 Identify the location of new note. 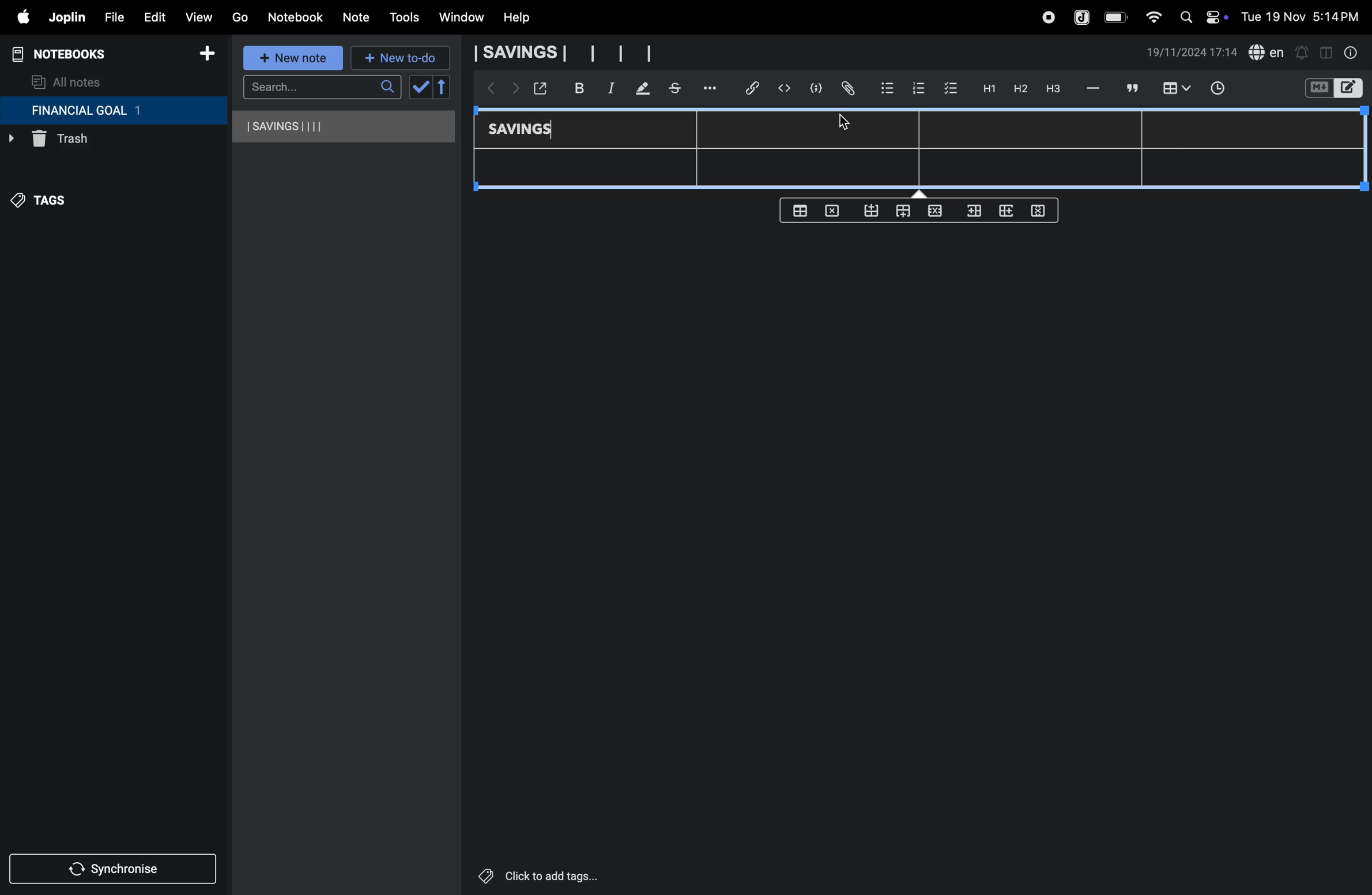
(295, 59).